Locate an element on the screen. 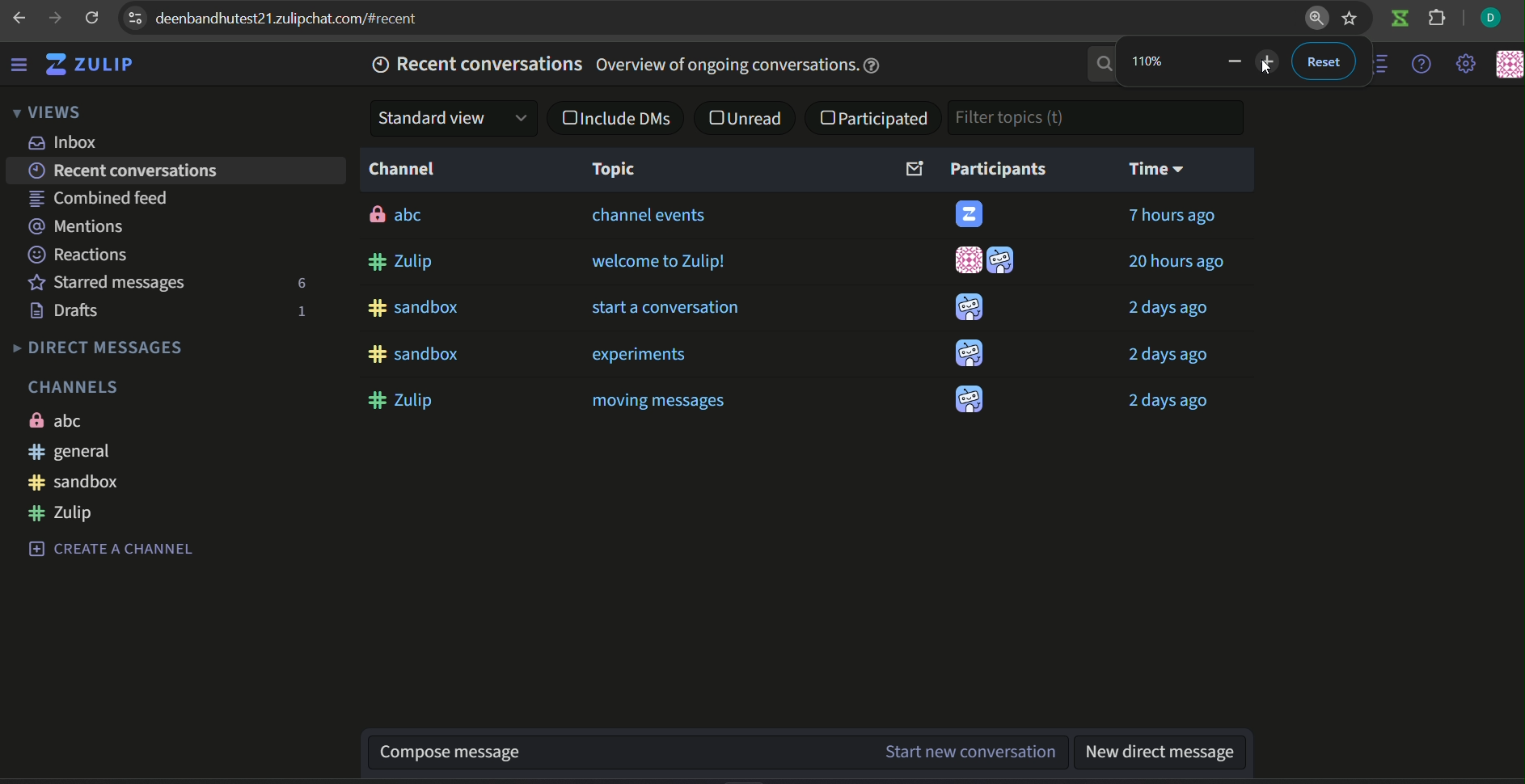 This screenshot has width=1525, height=784. moving messages is located at coordinates (661, 401).